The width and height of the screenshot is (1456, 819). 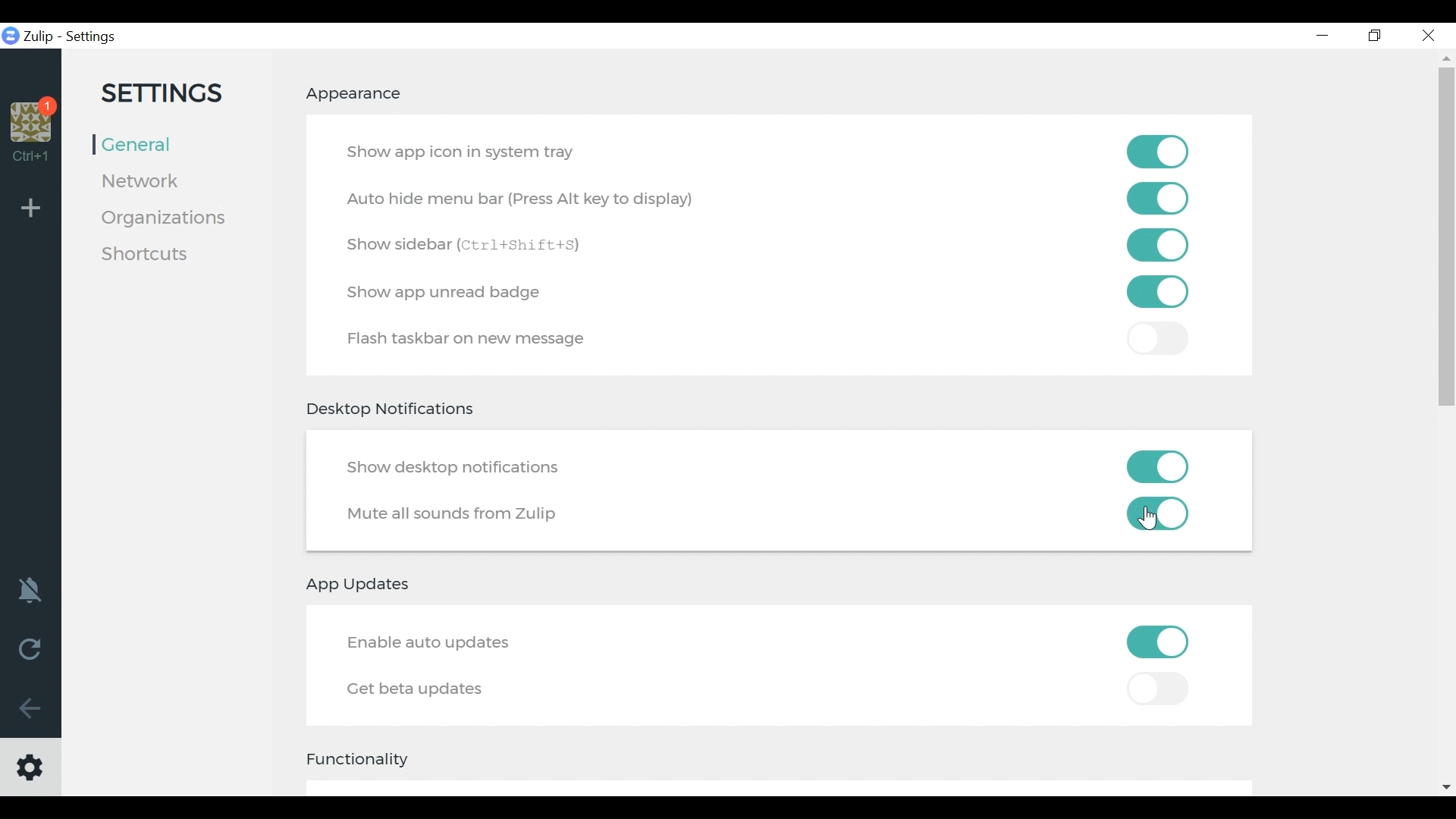 I want to click on Add Organisation, so click(x=31, y=206).